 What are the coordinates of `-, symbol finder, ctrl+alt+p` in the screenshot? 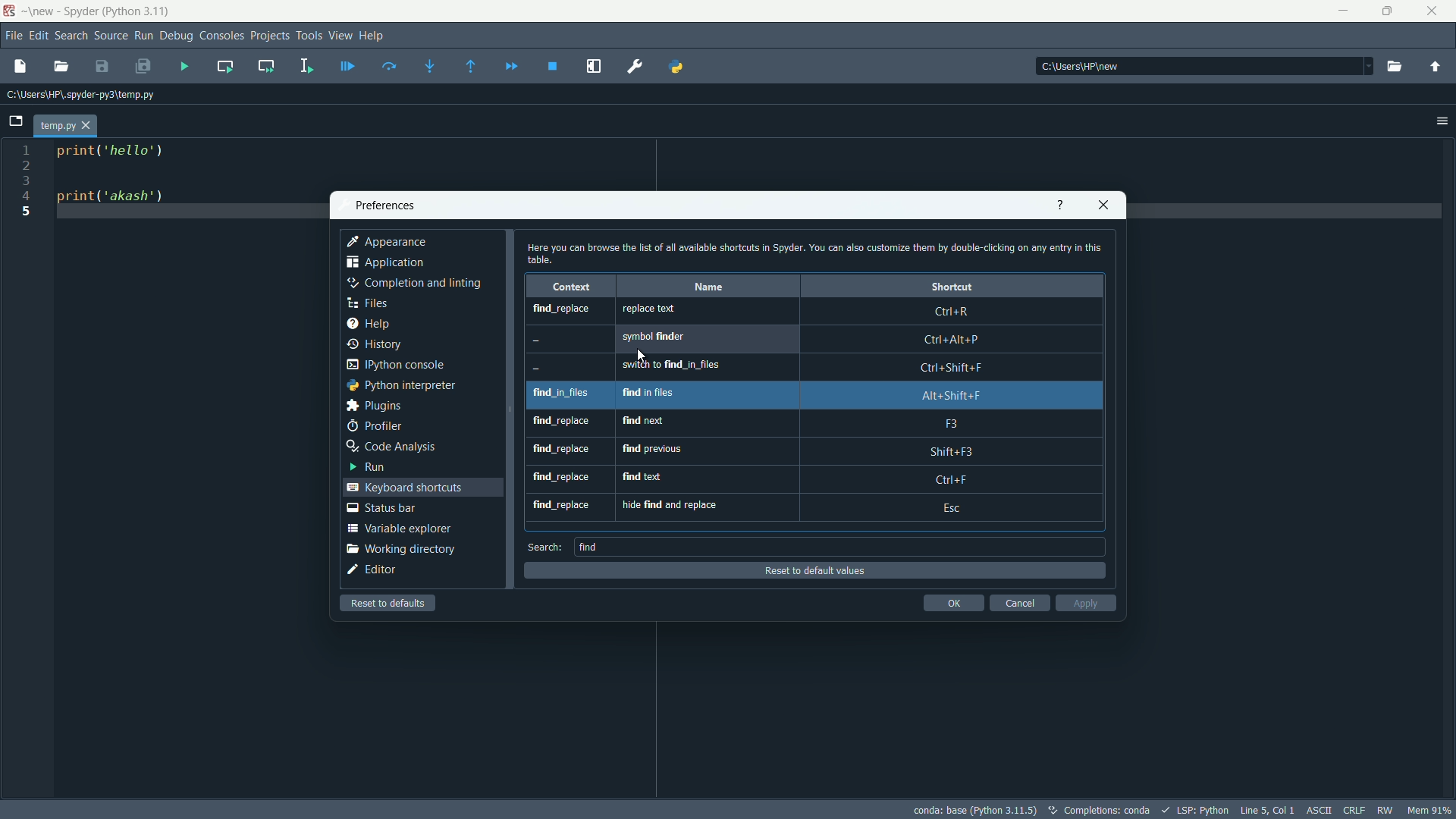 It's located at (809, 340).